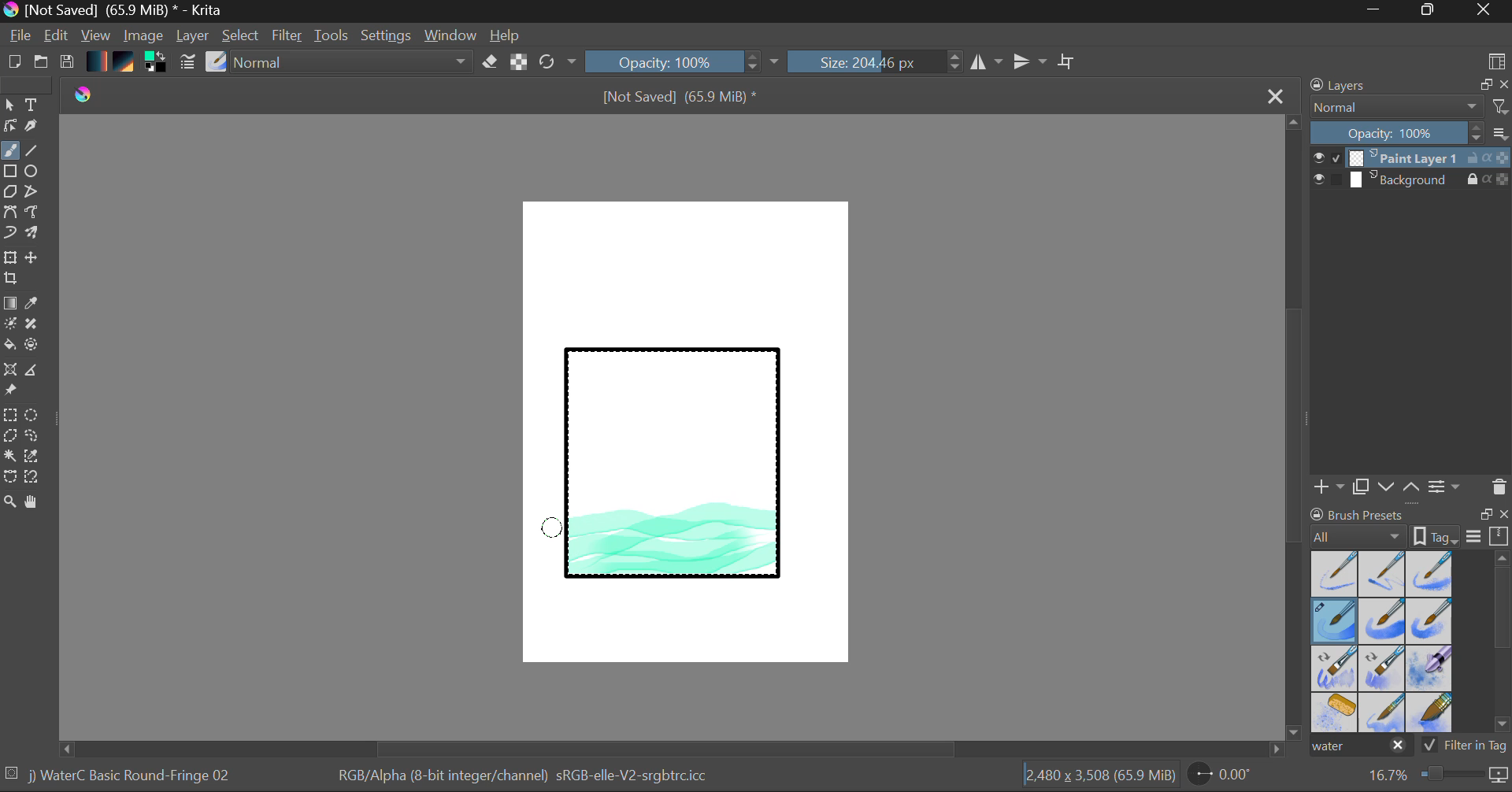 Image resolution: width=1512 pixels, height=792 pixels. I want to click on Line, so click(32, 151).